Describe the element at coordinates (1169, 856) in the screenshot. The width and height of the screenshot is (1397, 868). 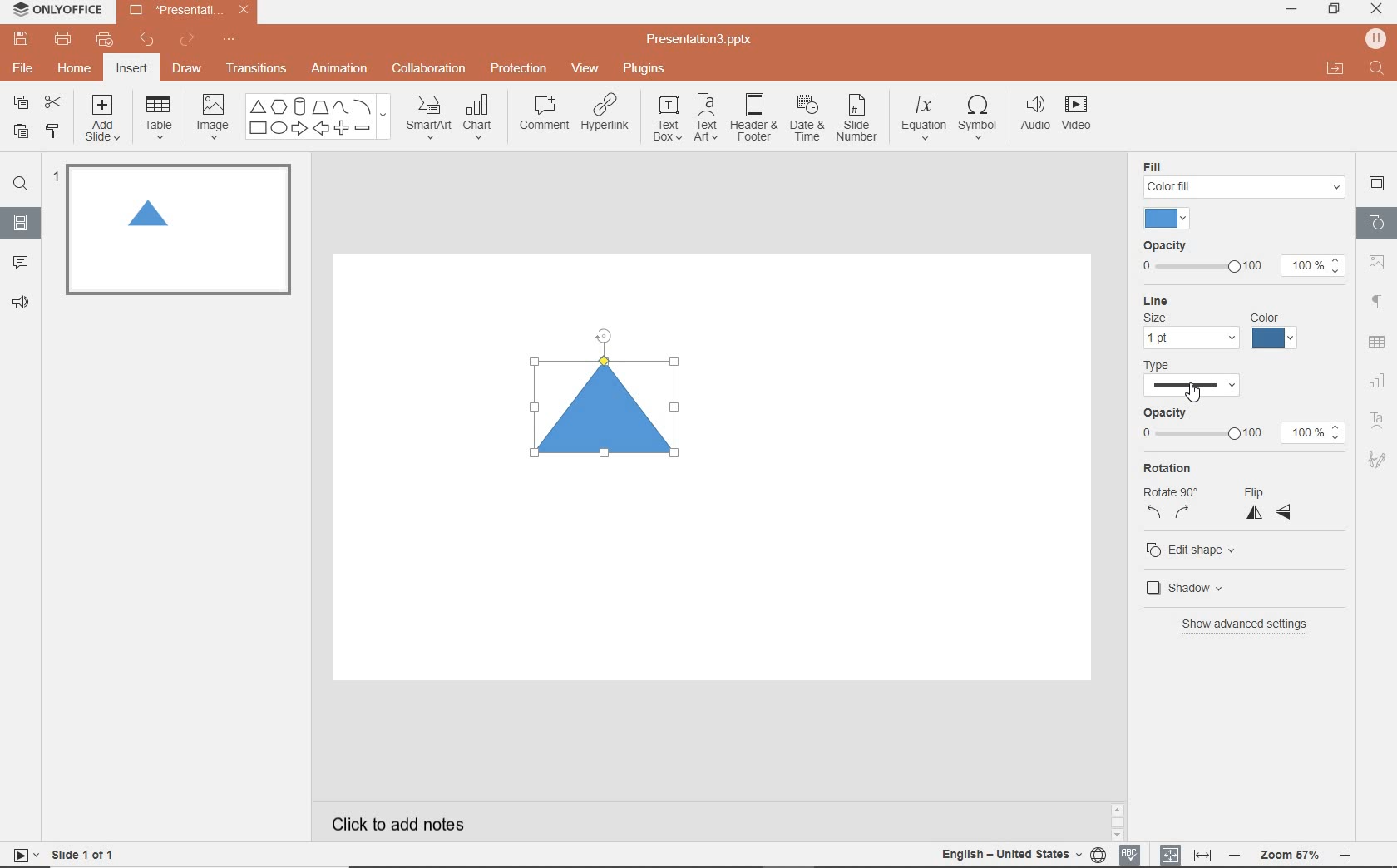
I see `FIT TO SLIDE` at that location.